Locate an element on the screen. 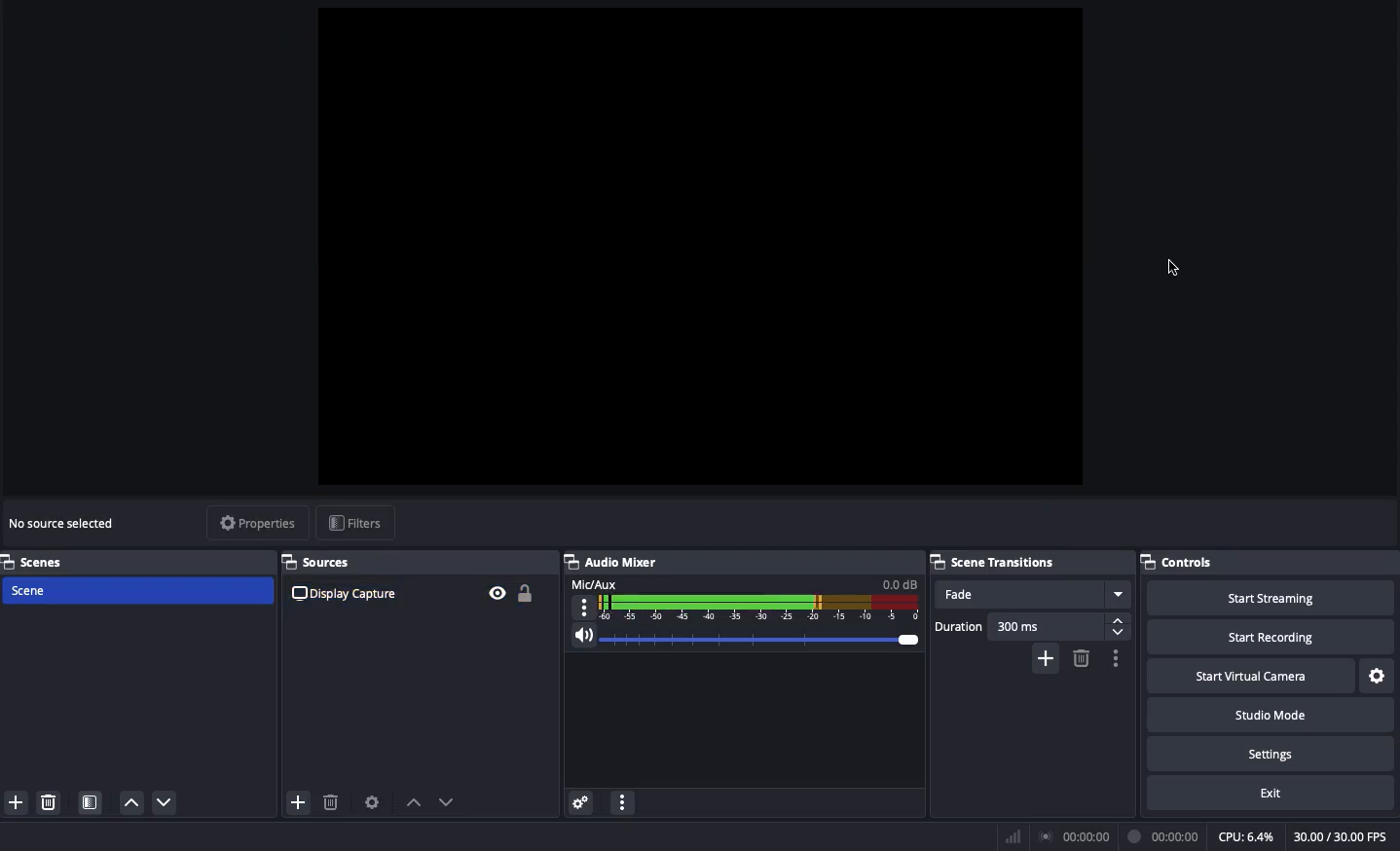 The width and height of the screenshot is (1400, 851). FPS is located at coordinates (1346, 836).